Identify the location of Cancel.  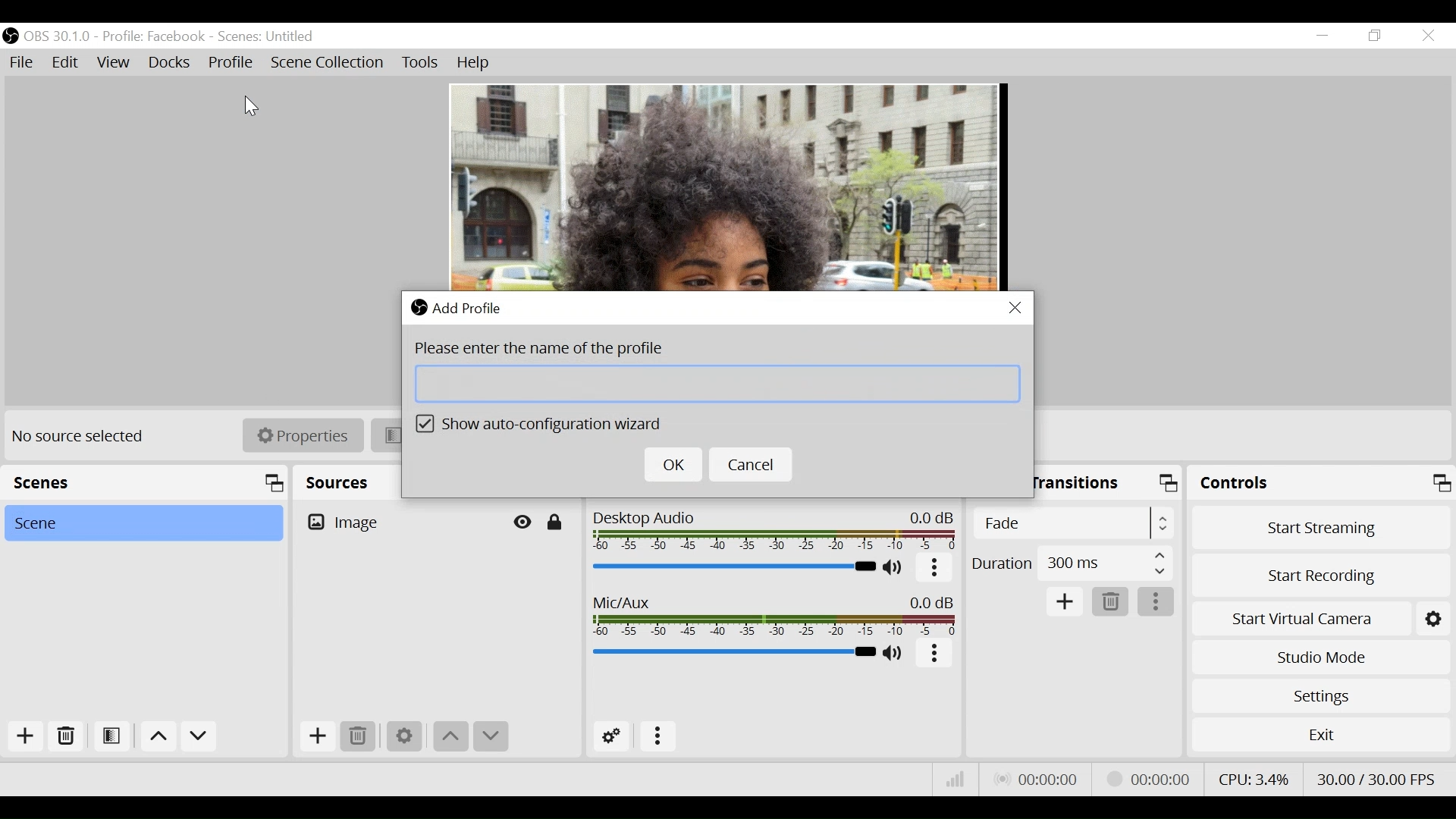
(755, 465).